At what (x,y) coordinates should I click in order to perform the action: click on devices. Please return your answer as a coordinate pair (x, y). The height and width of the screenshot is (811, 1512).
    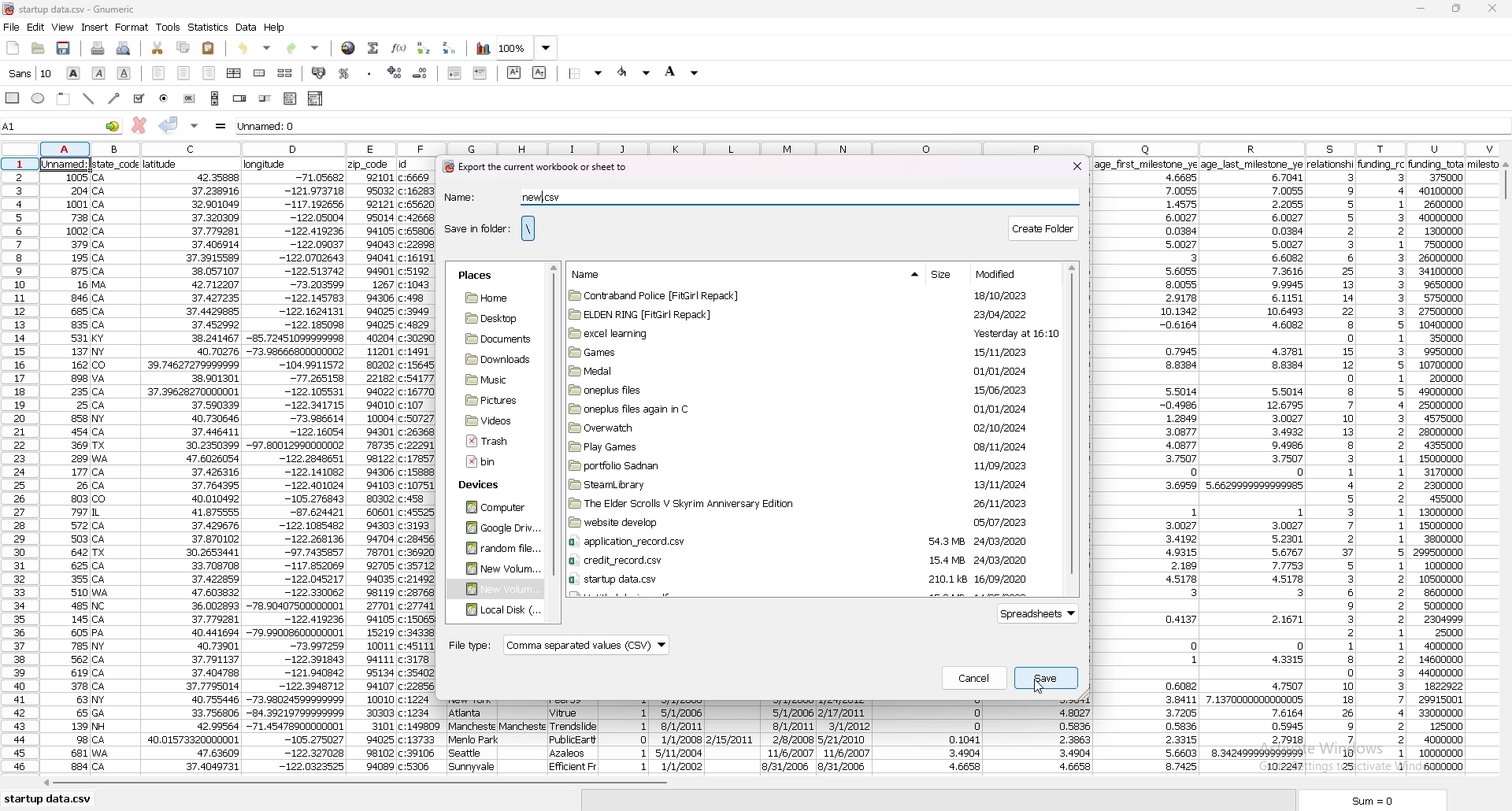
    Looking at the image, I should click on (484, 486).